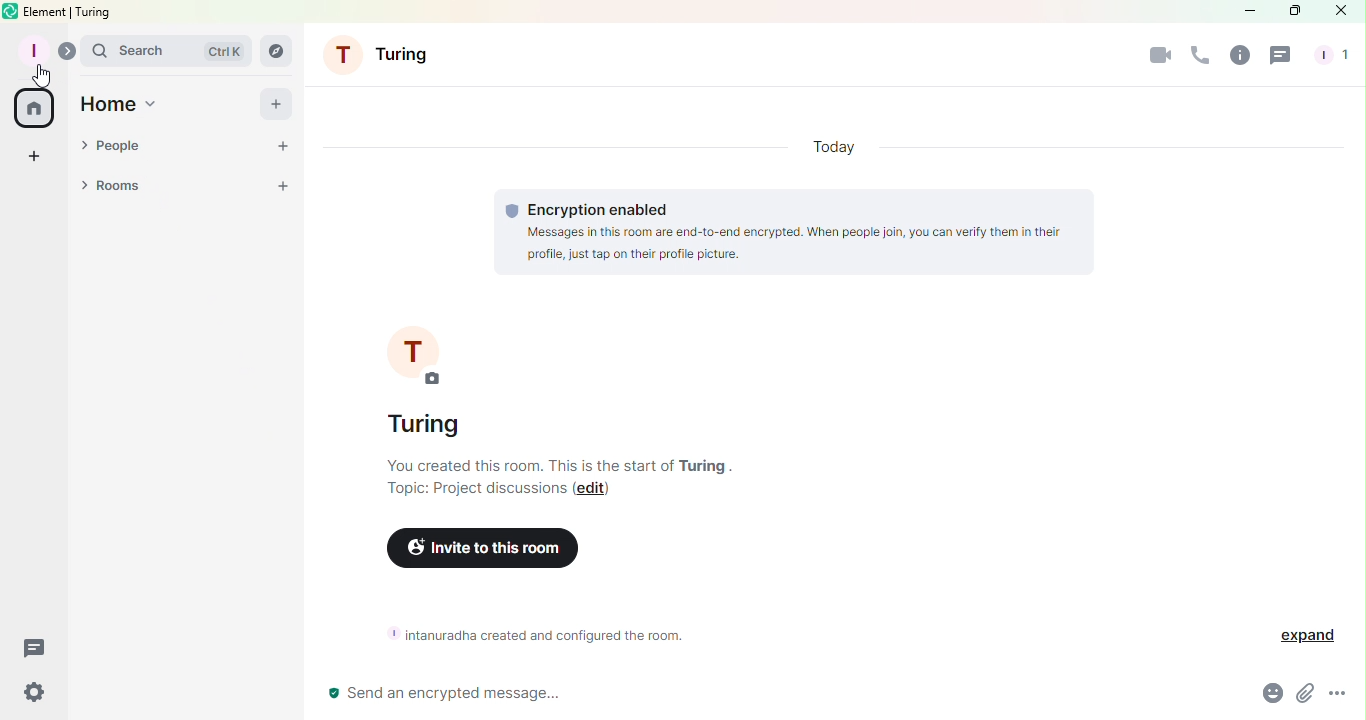  Describe the element at coordinates (1154, 57) in the screenshot. I see `Video call` at that location.